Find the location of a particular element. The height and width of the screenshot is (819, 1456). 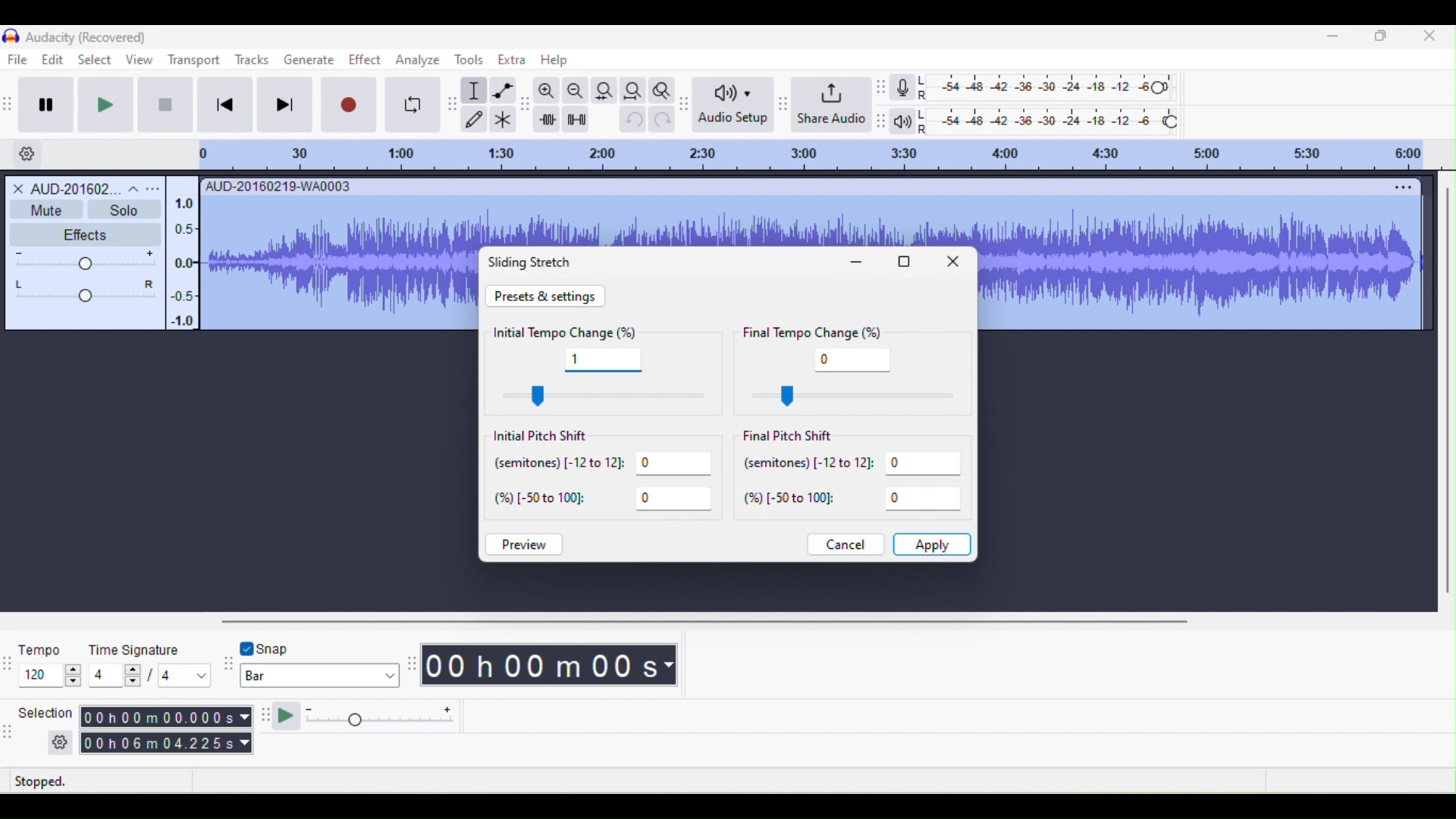

tempo is located at coordinates (49, 663).